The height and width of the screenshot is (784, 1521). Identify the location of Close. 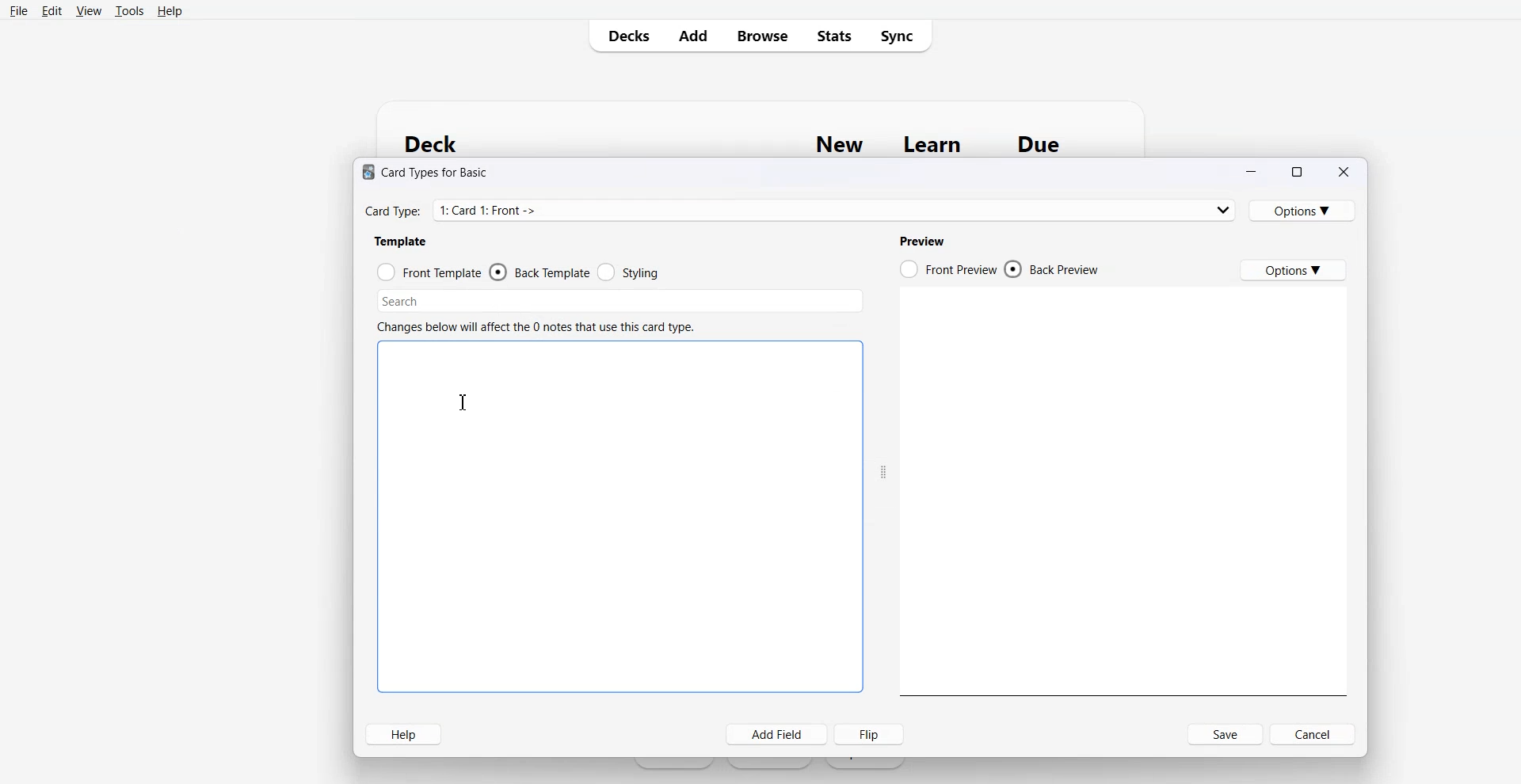
(1341, 172).